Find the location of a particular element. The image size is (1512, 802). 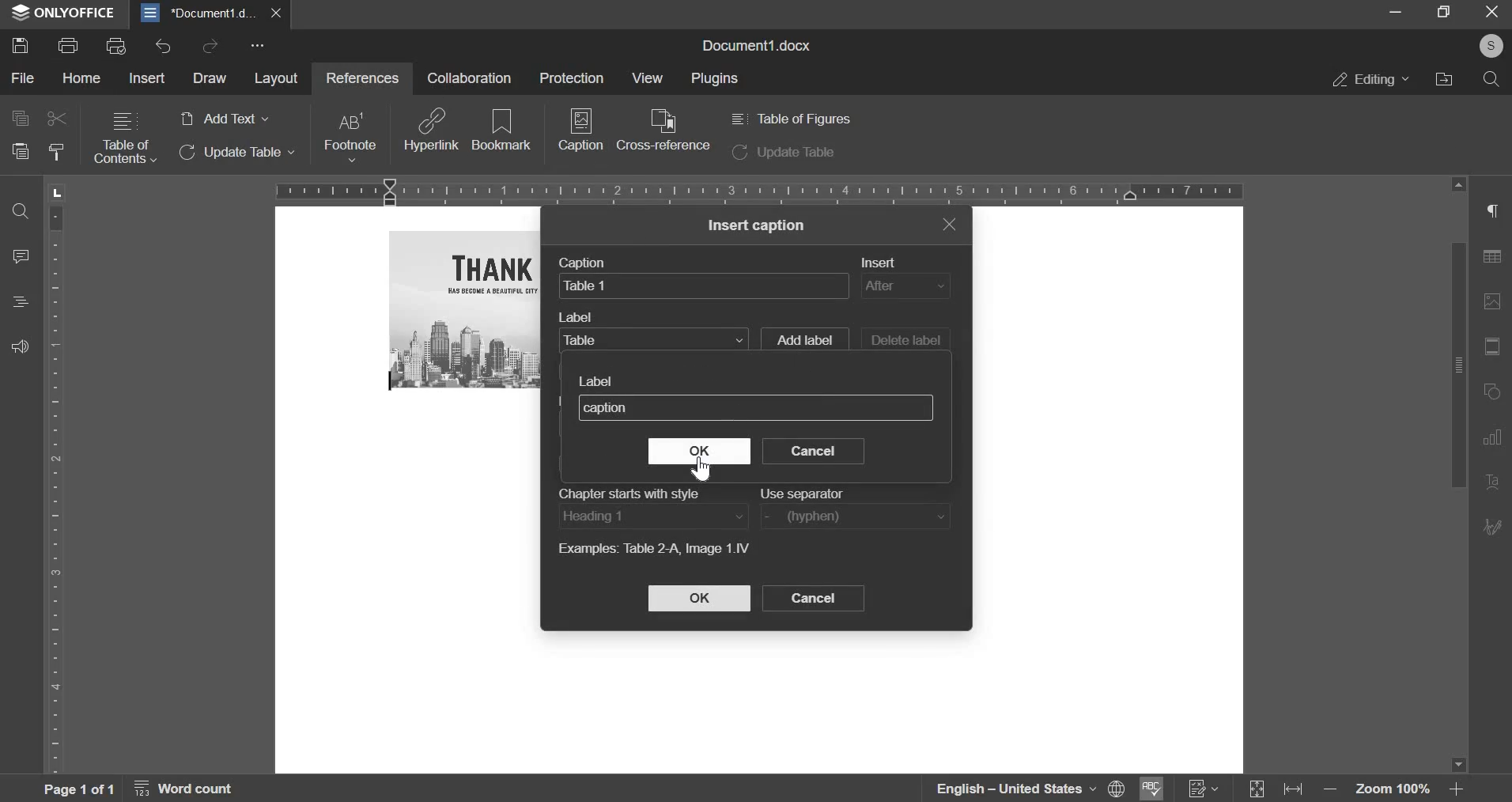

plugins is located at coordinates (716, 79).